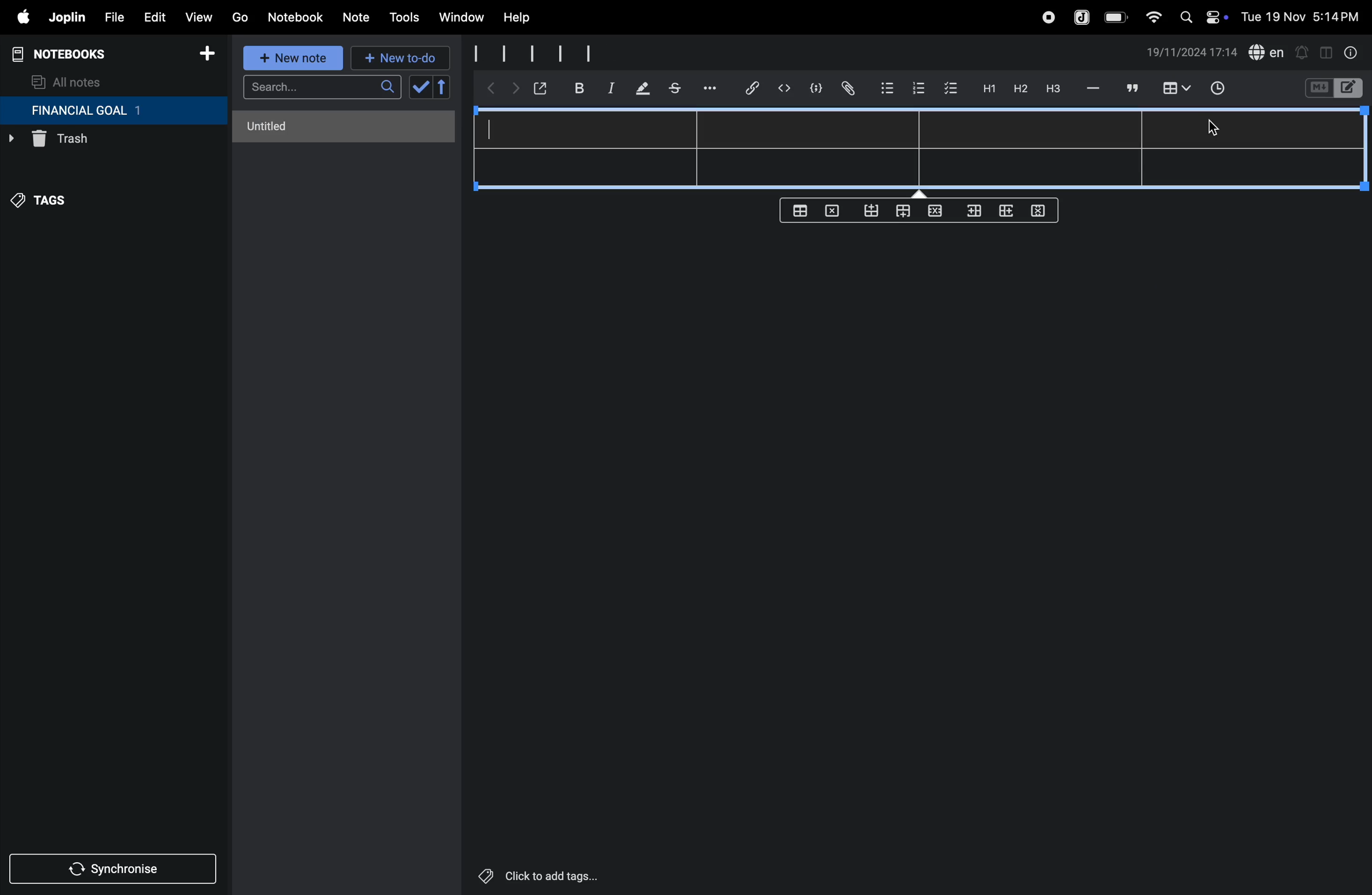 The height and width of the screenshot is (895, 1372). Describe the element at coordinates (114, 867) in the screenshot. I see `synchronize` at that location.